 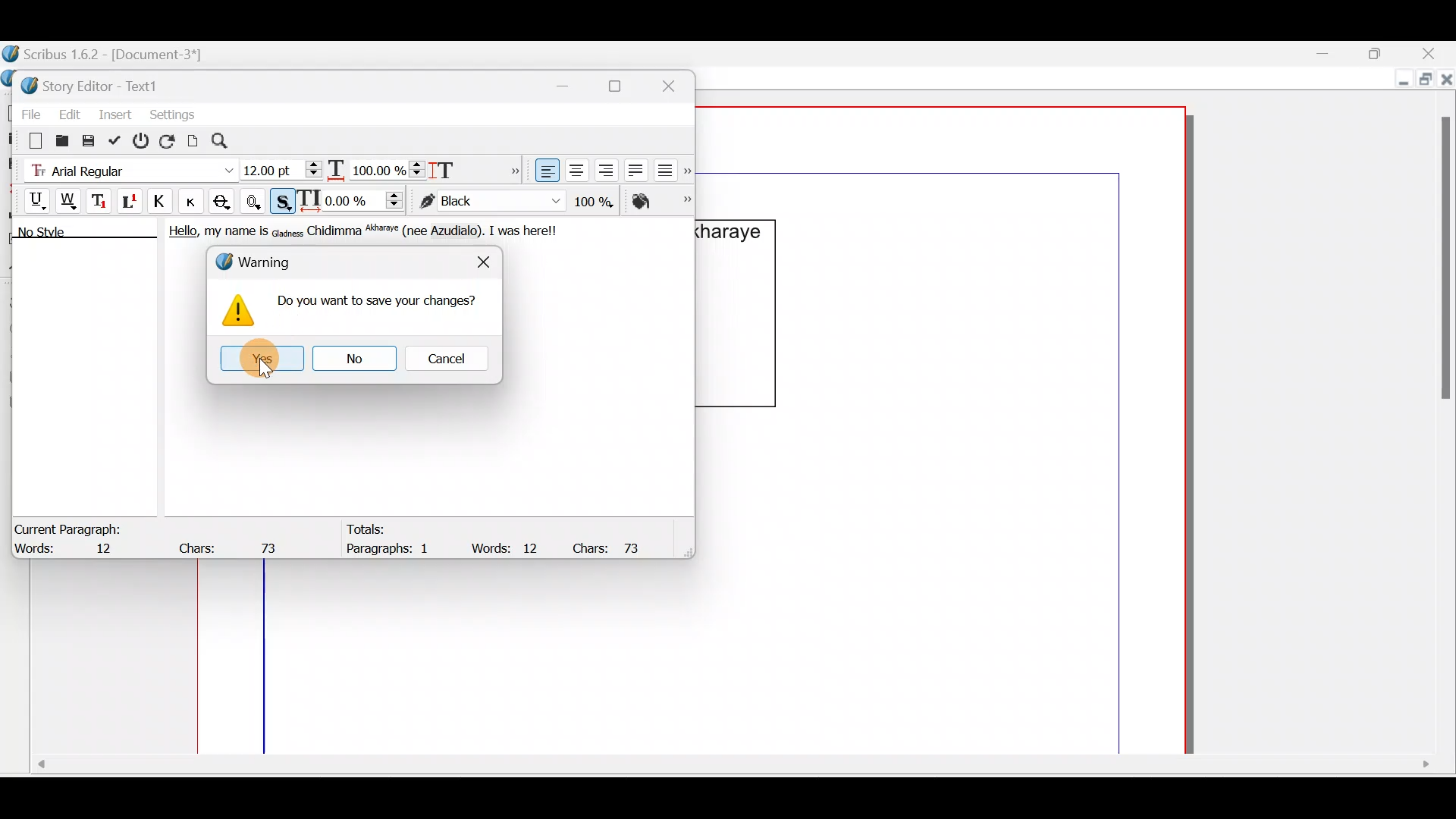 What do you see at coordinates (58, 234) in the screenshot?
I see `No style` at bounding box center [58, 234].